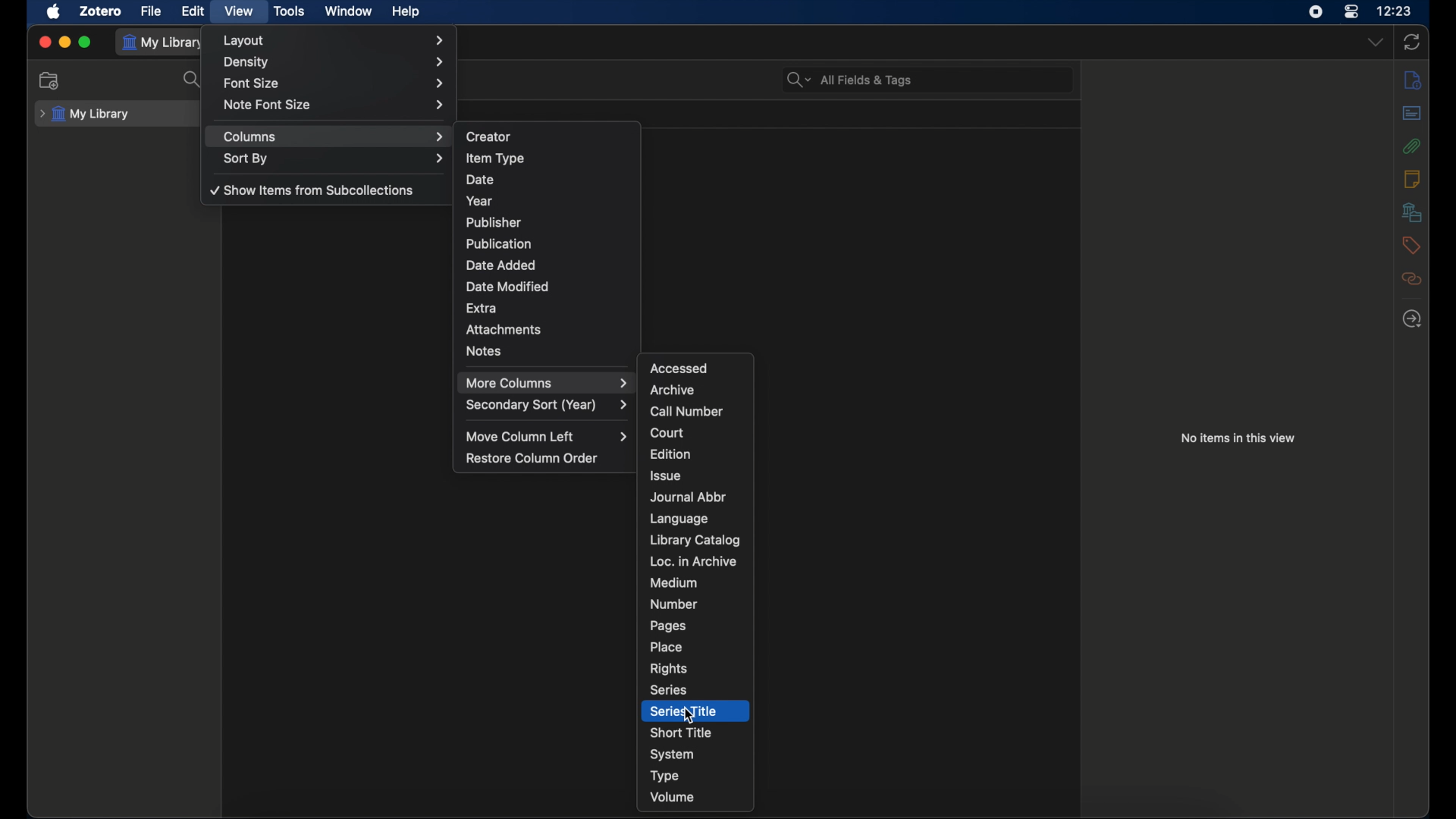  Describe the element at coordinates (350, 11) in the screenshot. I see `window` at that location.